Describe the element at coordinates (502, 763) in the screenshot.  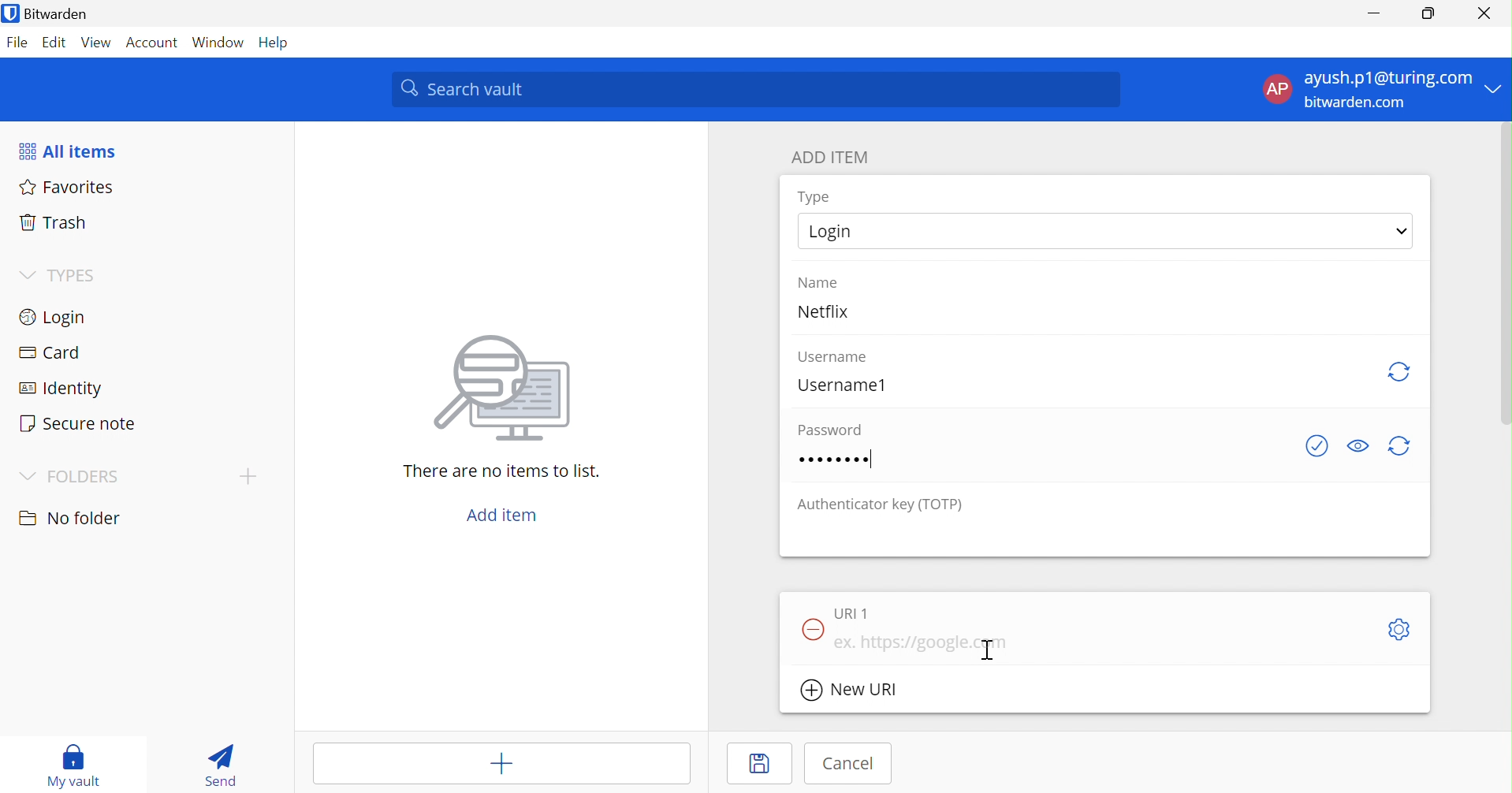
I see `Add item` at that location.